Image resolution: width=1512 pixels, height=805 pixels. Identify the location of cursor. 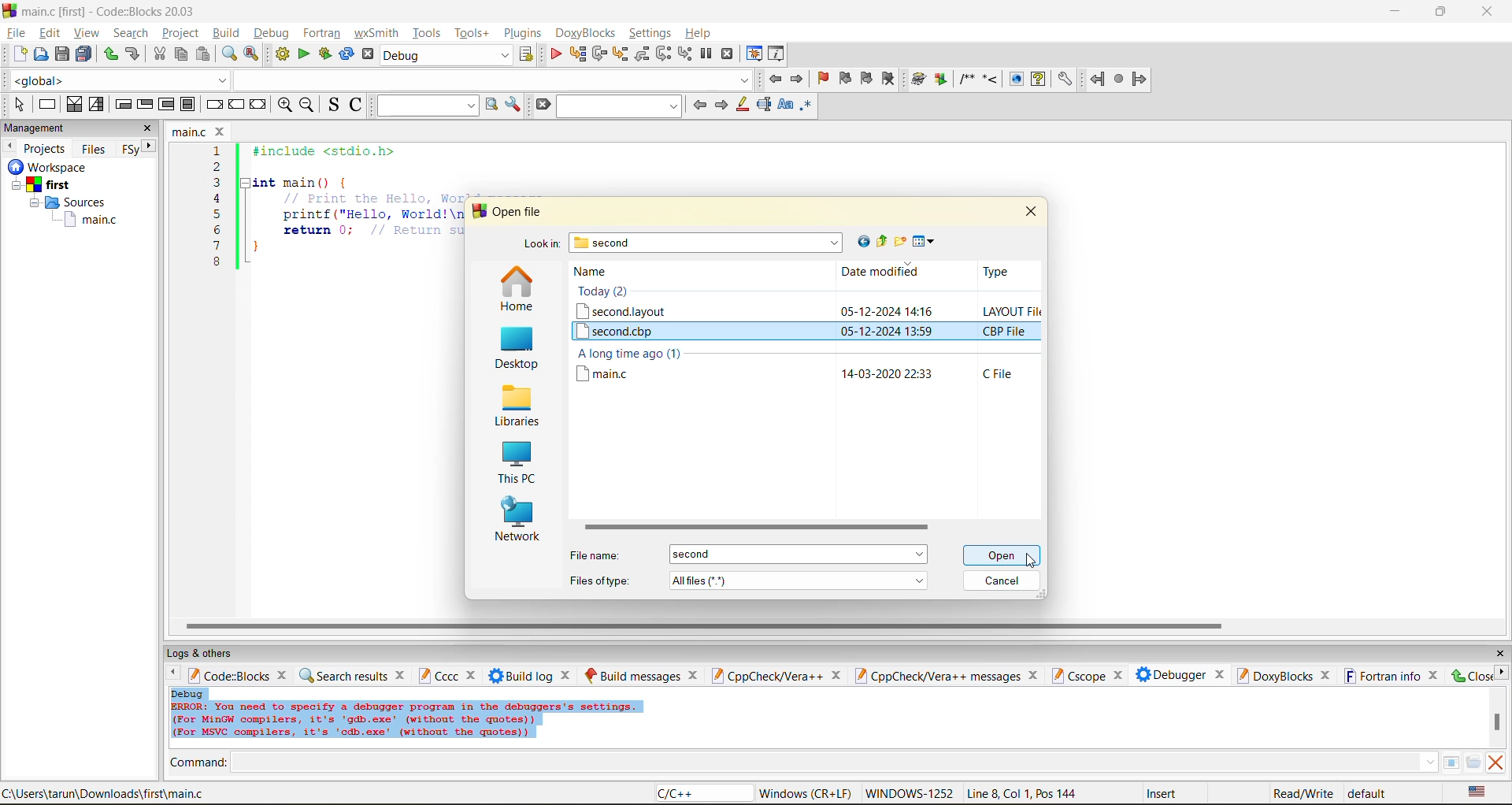
(1028, 560).